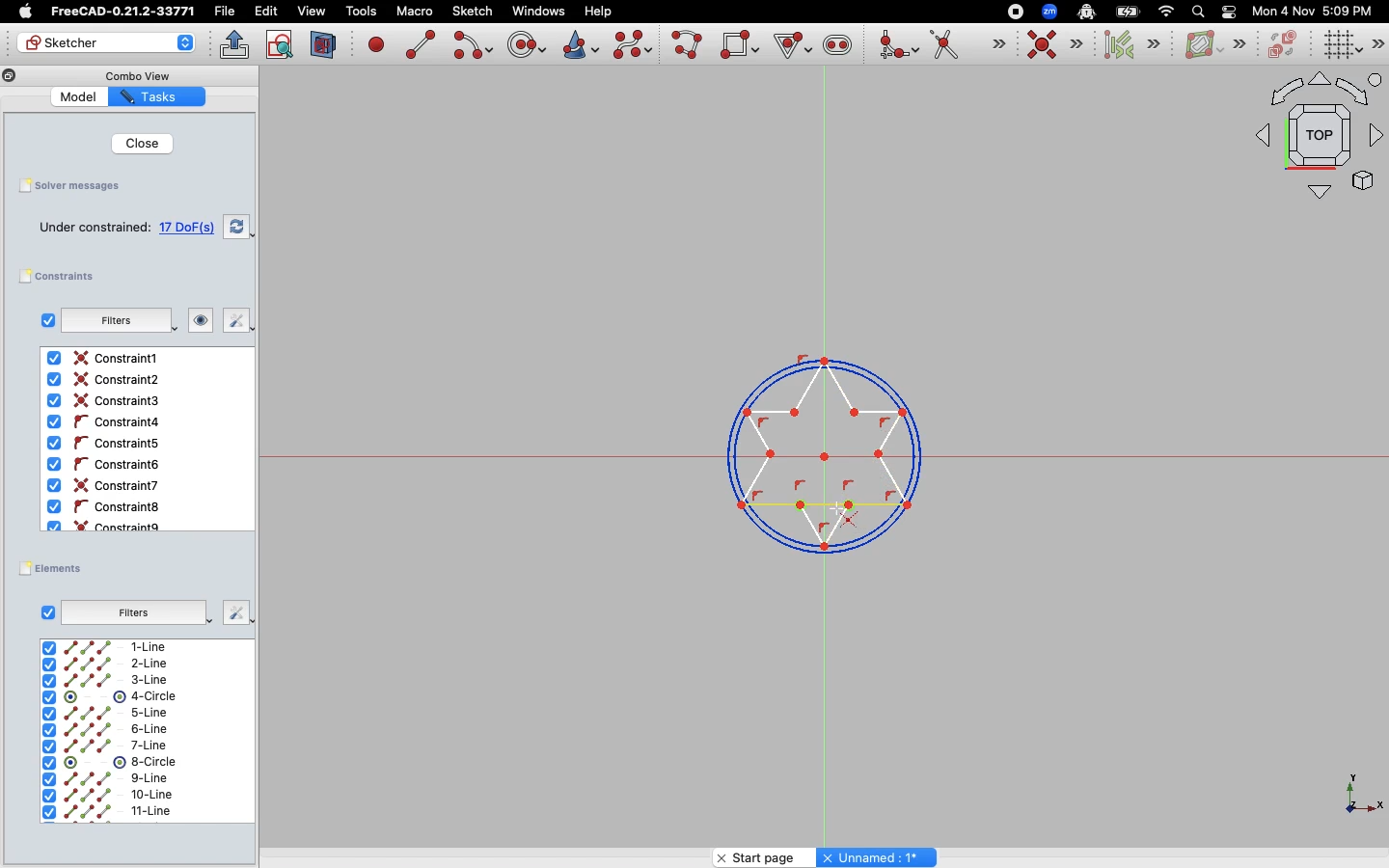  I want to click on X, Y, Z, so click(1351, 800).